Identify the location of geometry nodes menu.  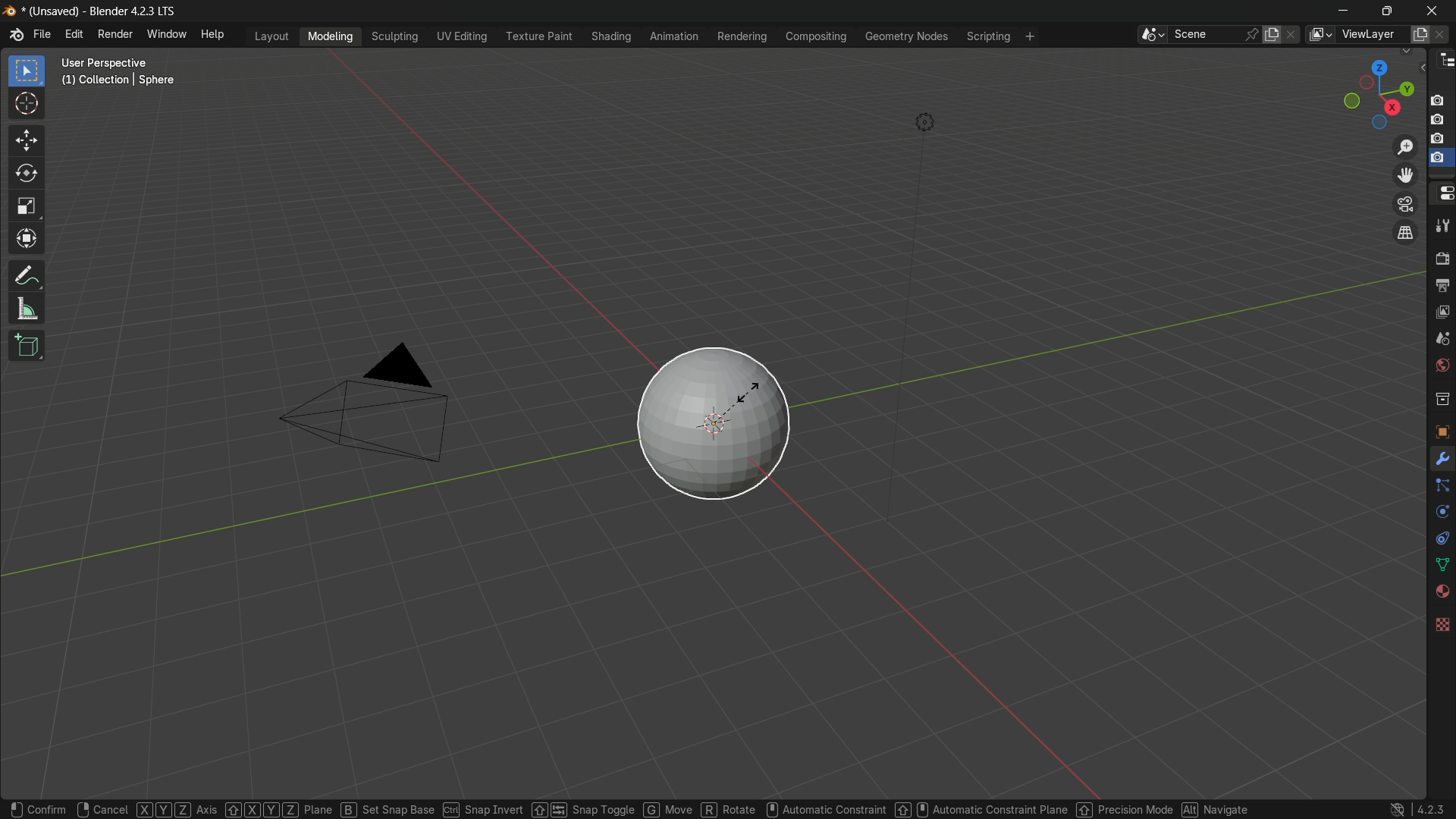
(908, 38).